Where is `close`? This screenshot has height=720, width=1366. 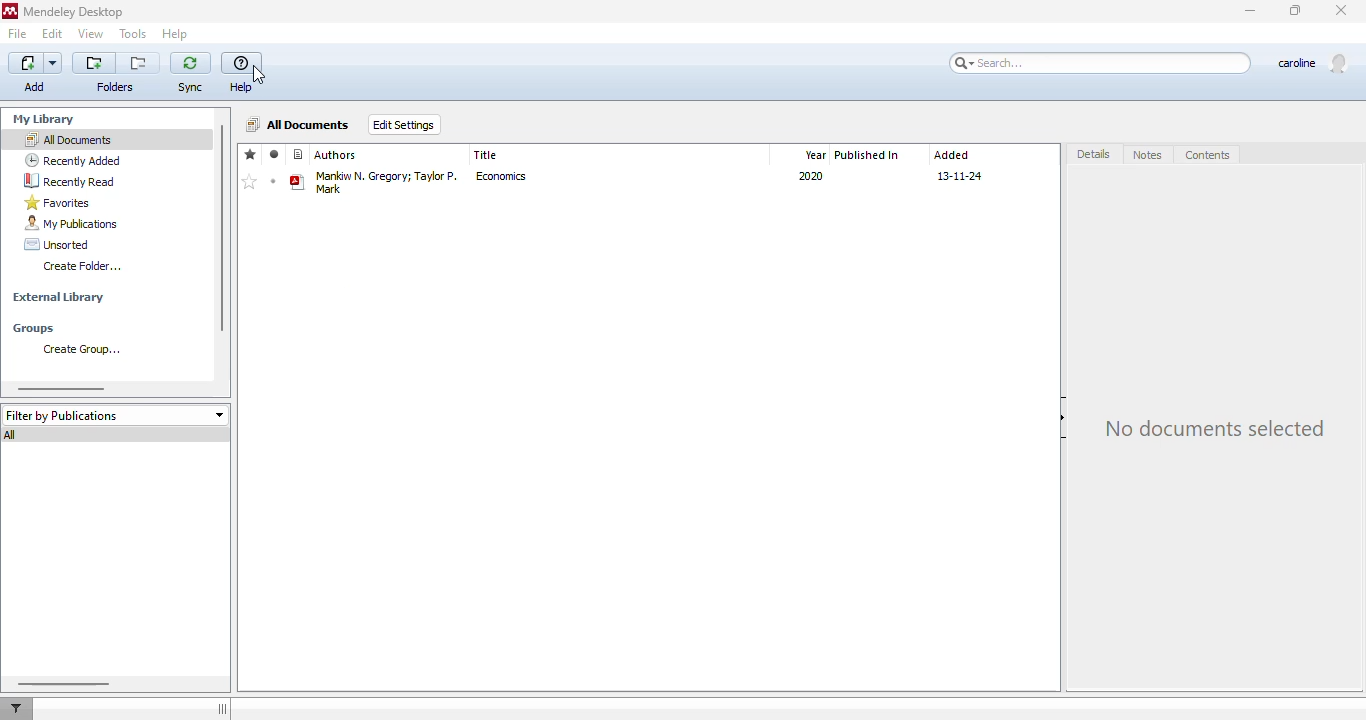 close is located at coordinates (1340, 11).